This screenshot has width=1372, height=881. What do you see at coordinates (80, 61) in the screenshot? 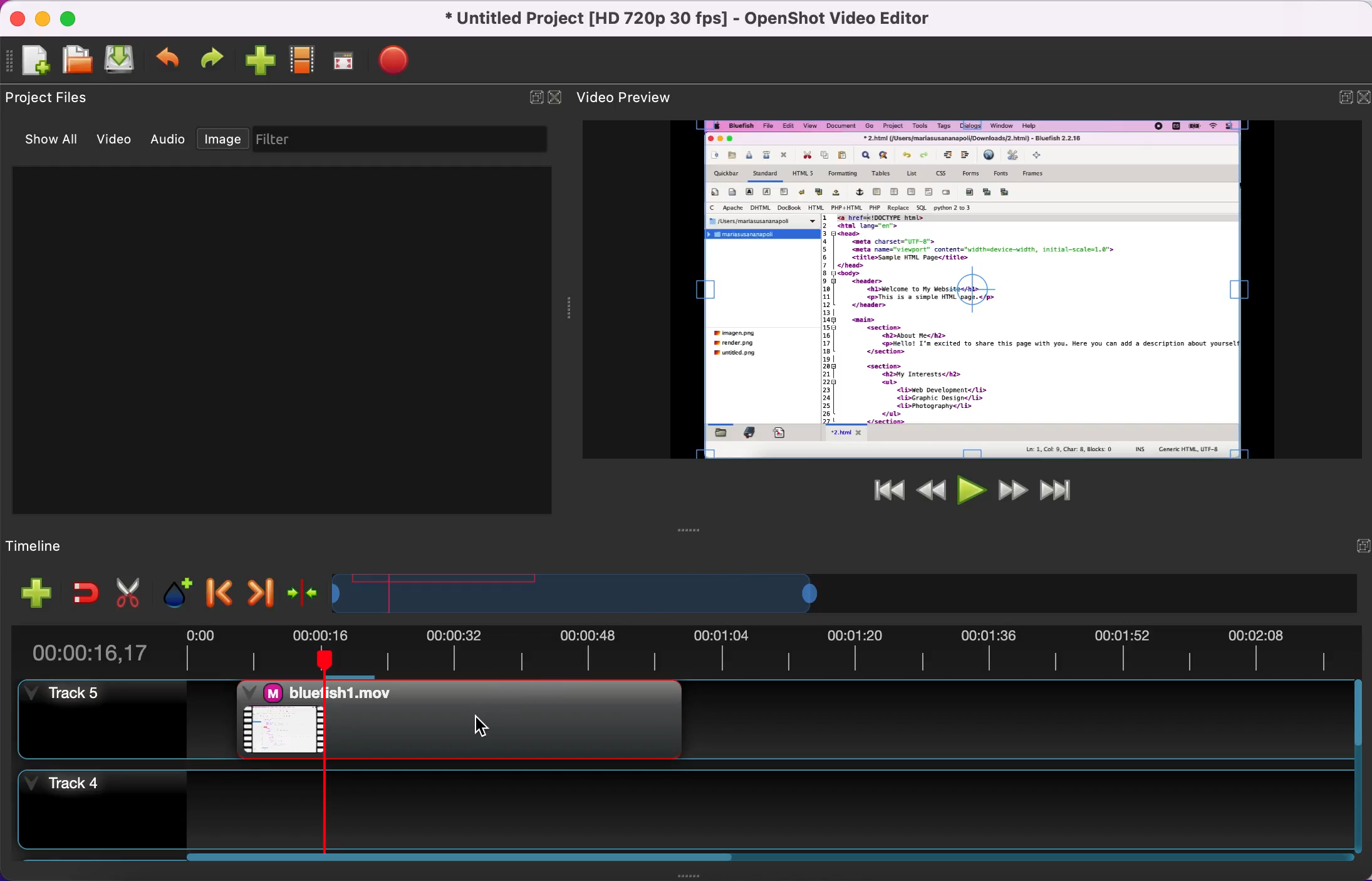
I see `open project` at bounding box center [80, 61].